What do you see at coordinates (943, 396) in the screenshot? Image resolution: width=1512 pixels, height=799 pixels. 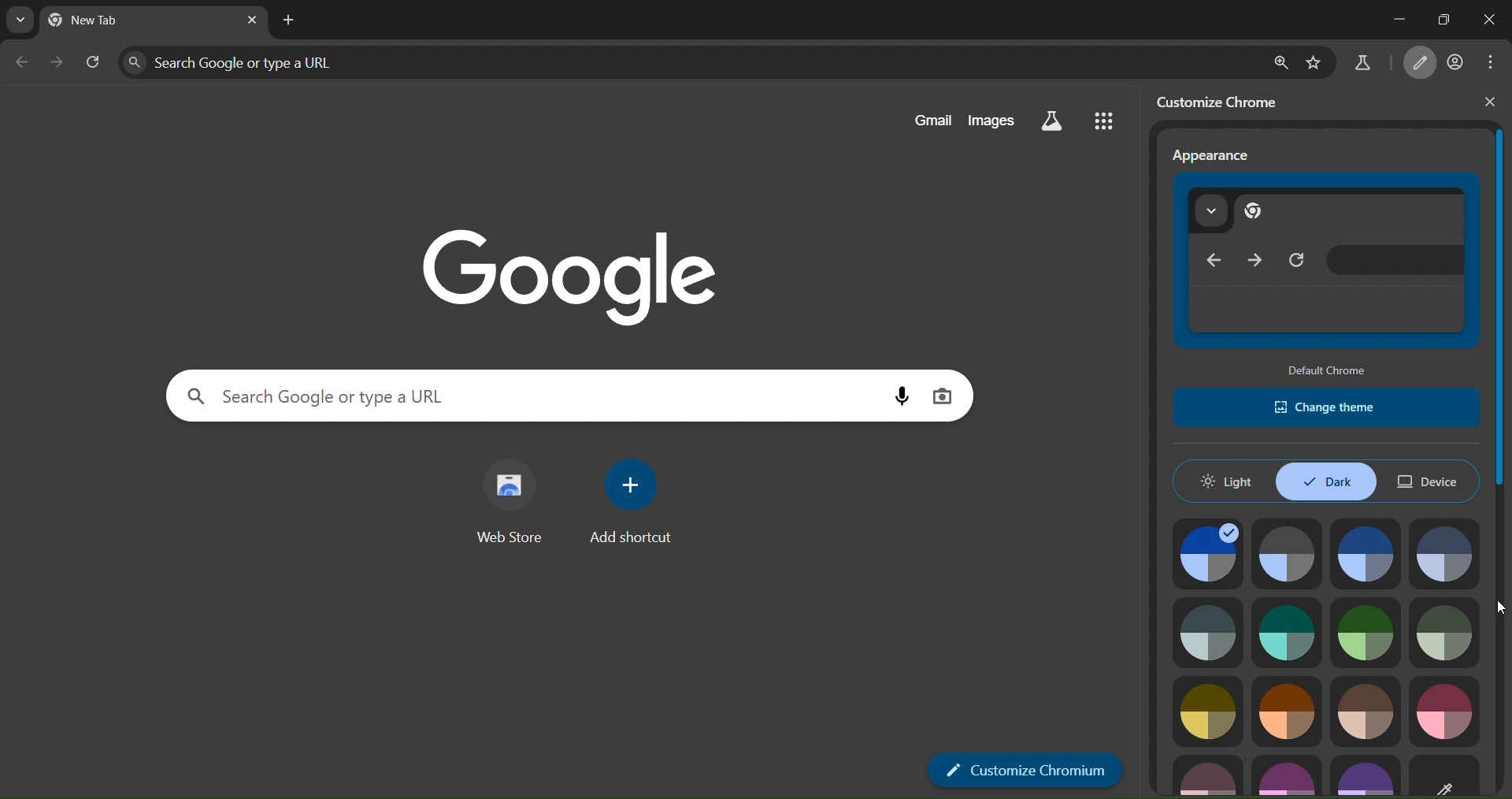 I see `image search` at bounding box center [943, 396].